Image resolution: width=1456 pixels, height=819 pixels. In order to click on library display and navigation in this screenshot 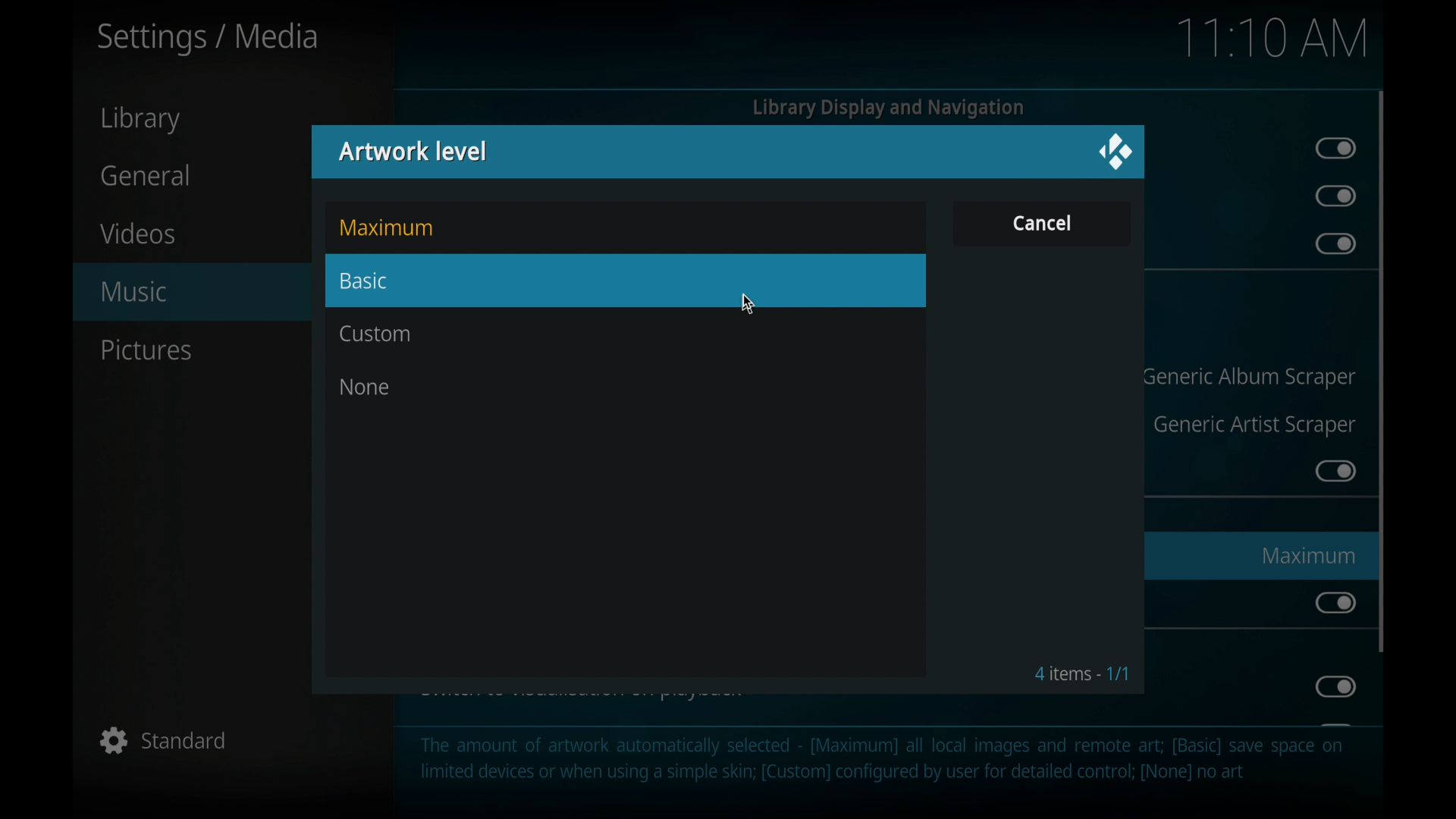, I will do `click(887, 108)`.